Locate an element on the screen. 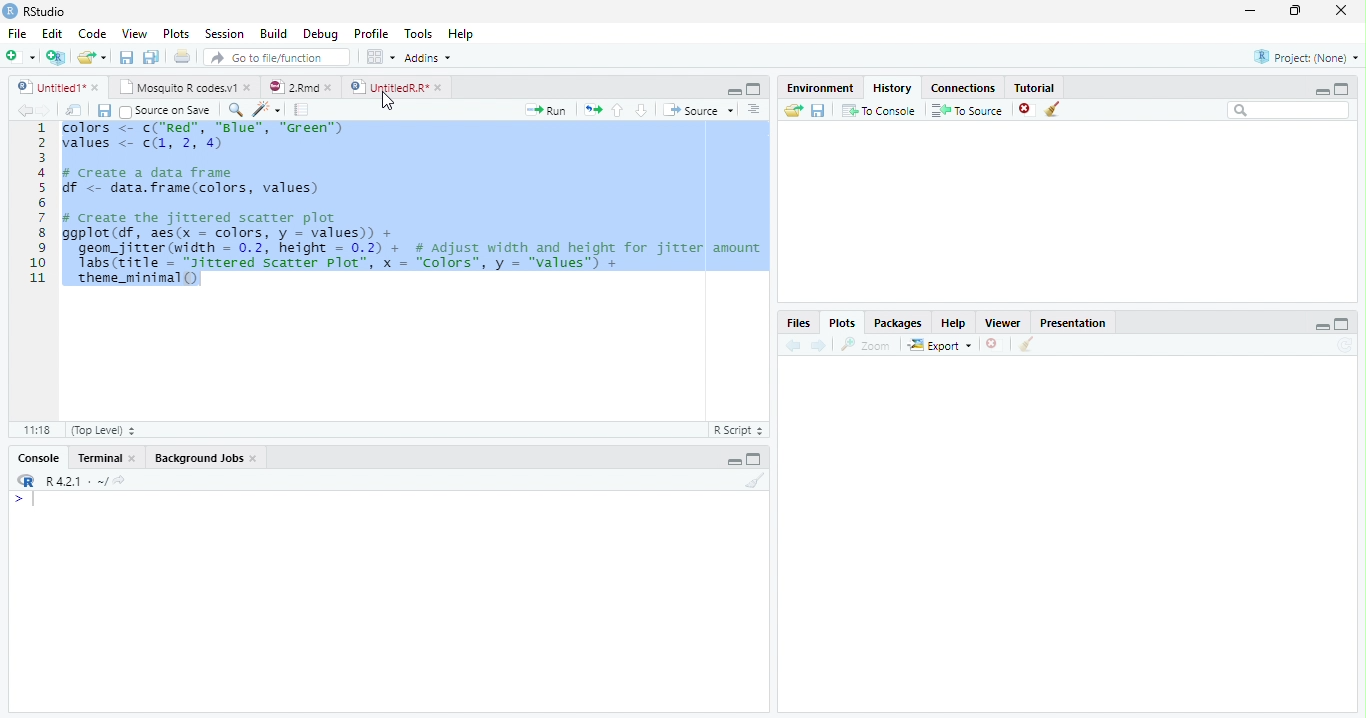 The width and height of the screenshot is (1366, 718). Open recent files is located at coordinates (104, 57).